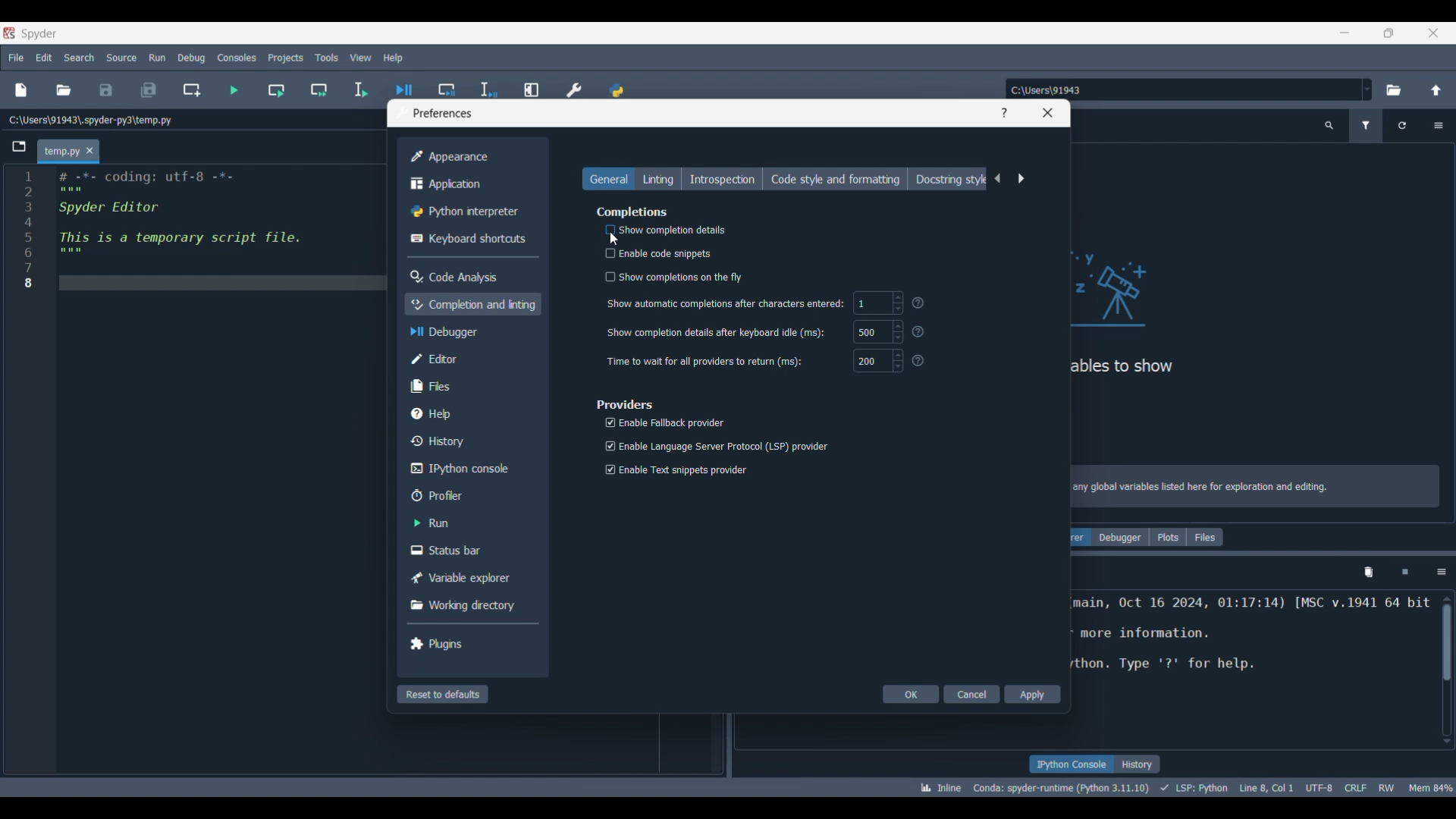 The height and width of the screenshot is (819, 1456). I want to click on Code analysis, so click(468, 277).